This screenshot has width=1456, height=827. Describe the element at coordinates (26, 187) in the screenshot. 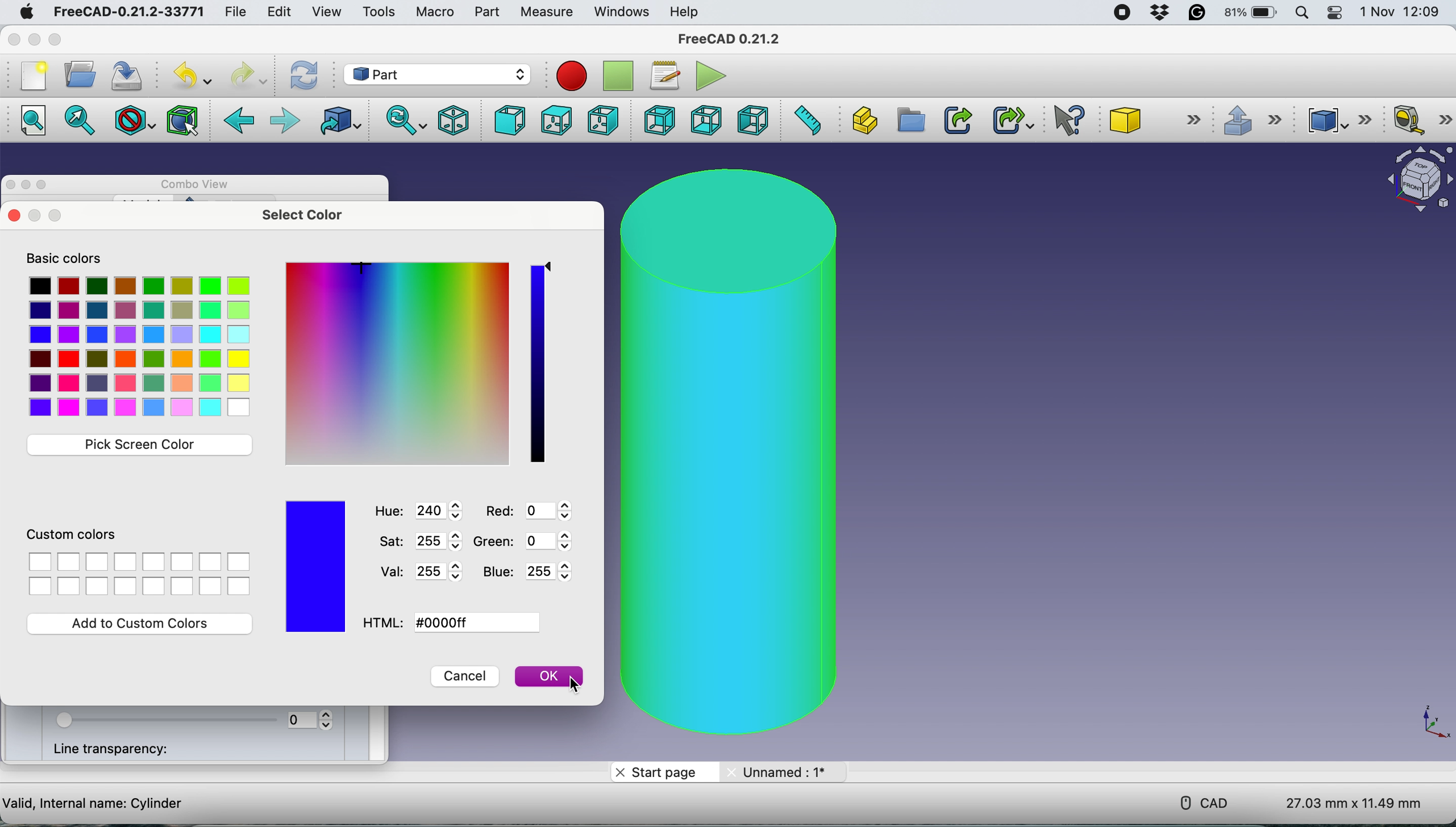

I see `minimise` at that location.